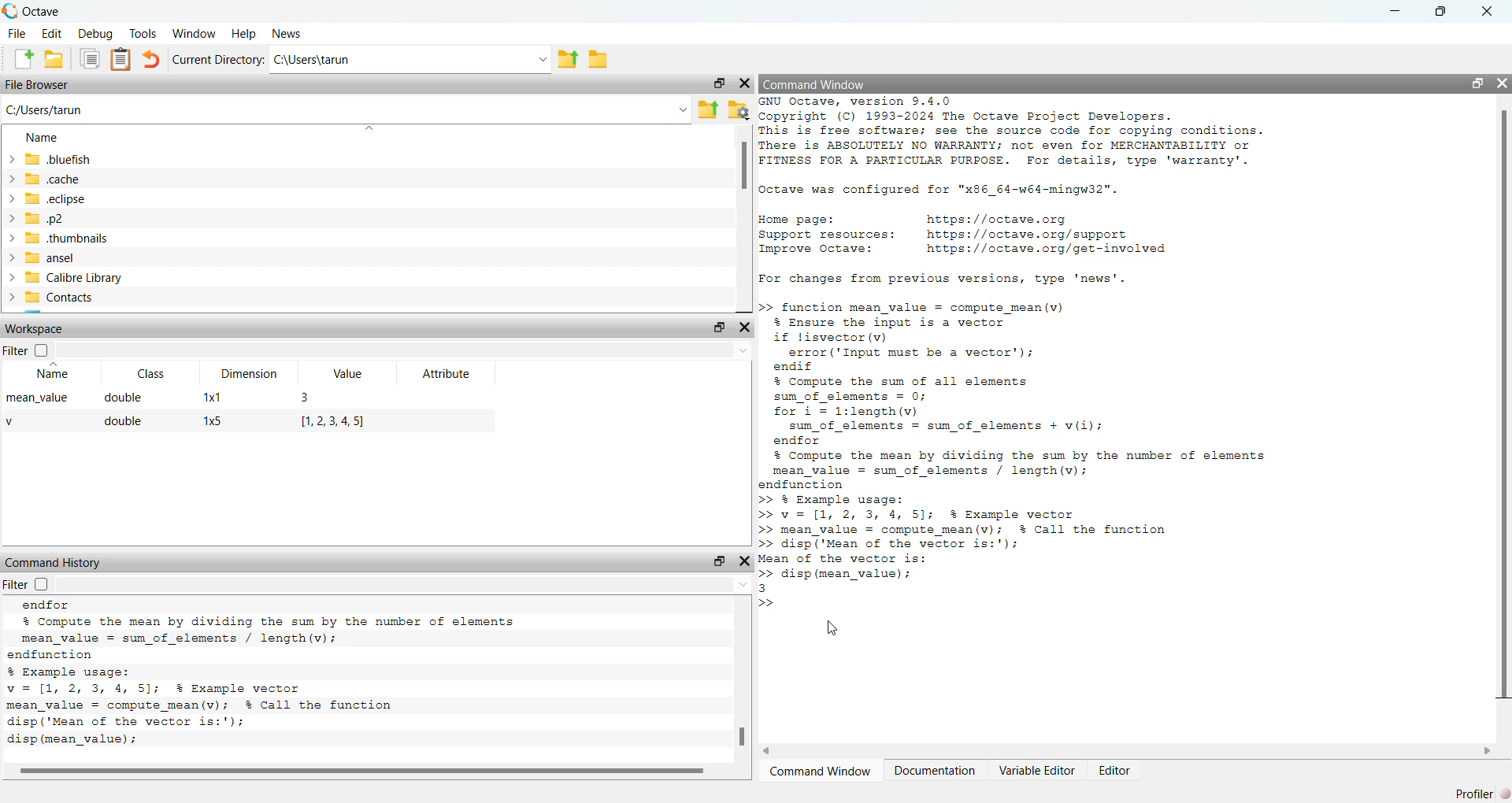 The image size is (1512, 803). What do you see at coordinates (1487, 11) in the screenshot?
I see `close` at bounding box center [1487, 11].